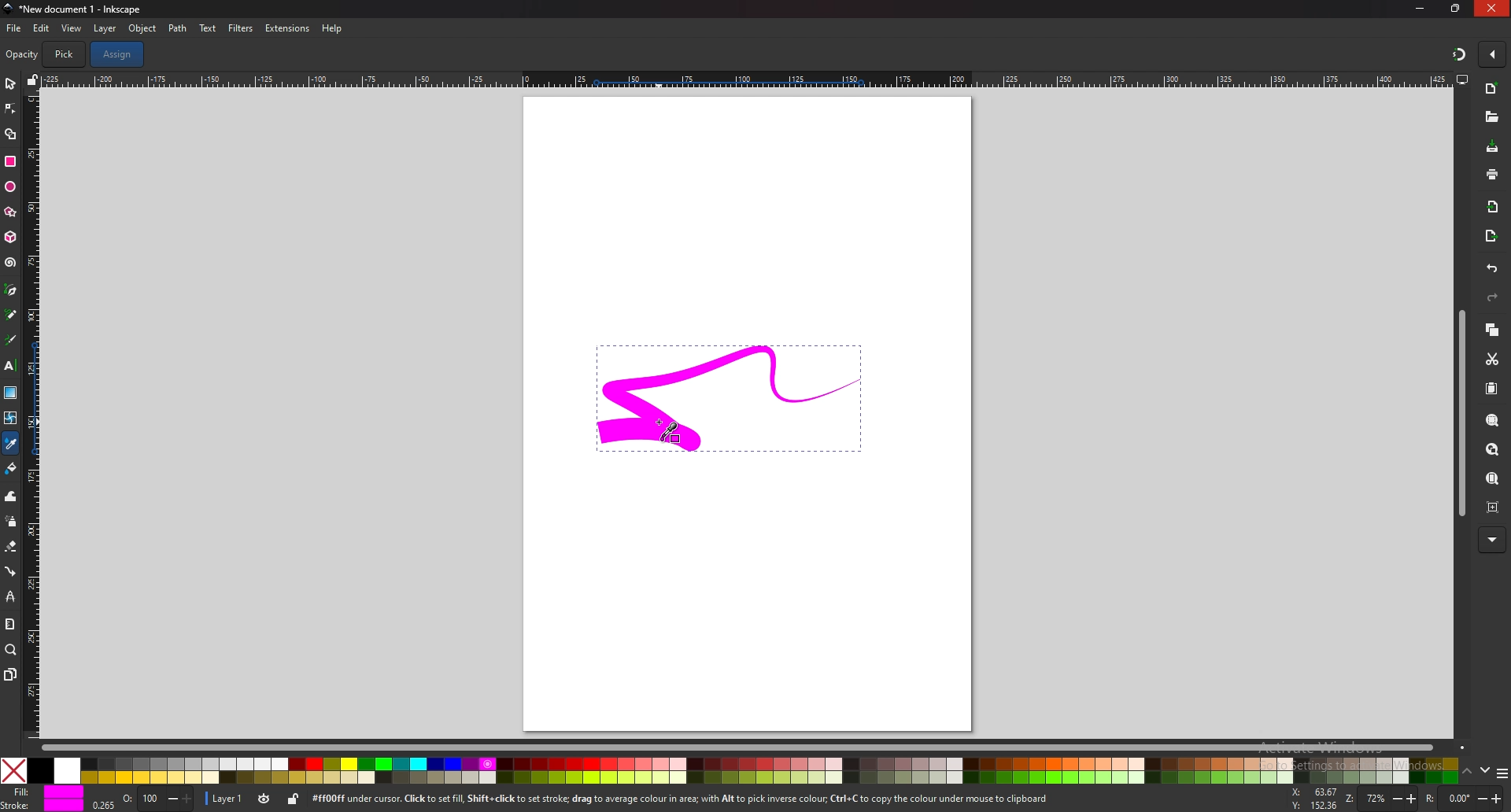 This screenshot has height=812, width=1511. Describe the element at coordinates (1313, 798) in the screenshot. I see `x and y coordinates` at that location.